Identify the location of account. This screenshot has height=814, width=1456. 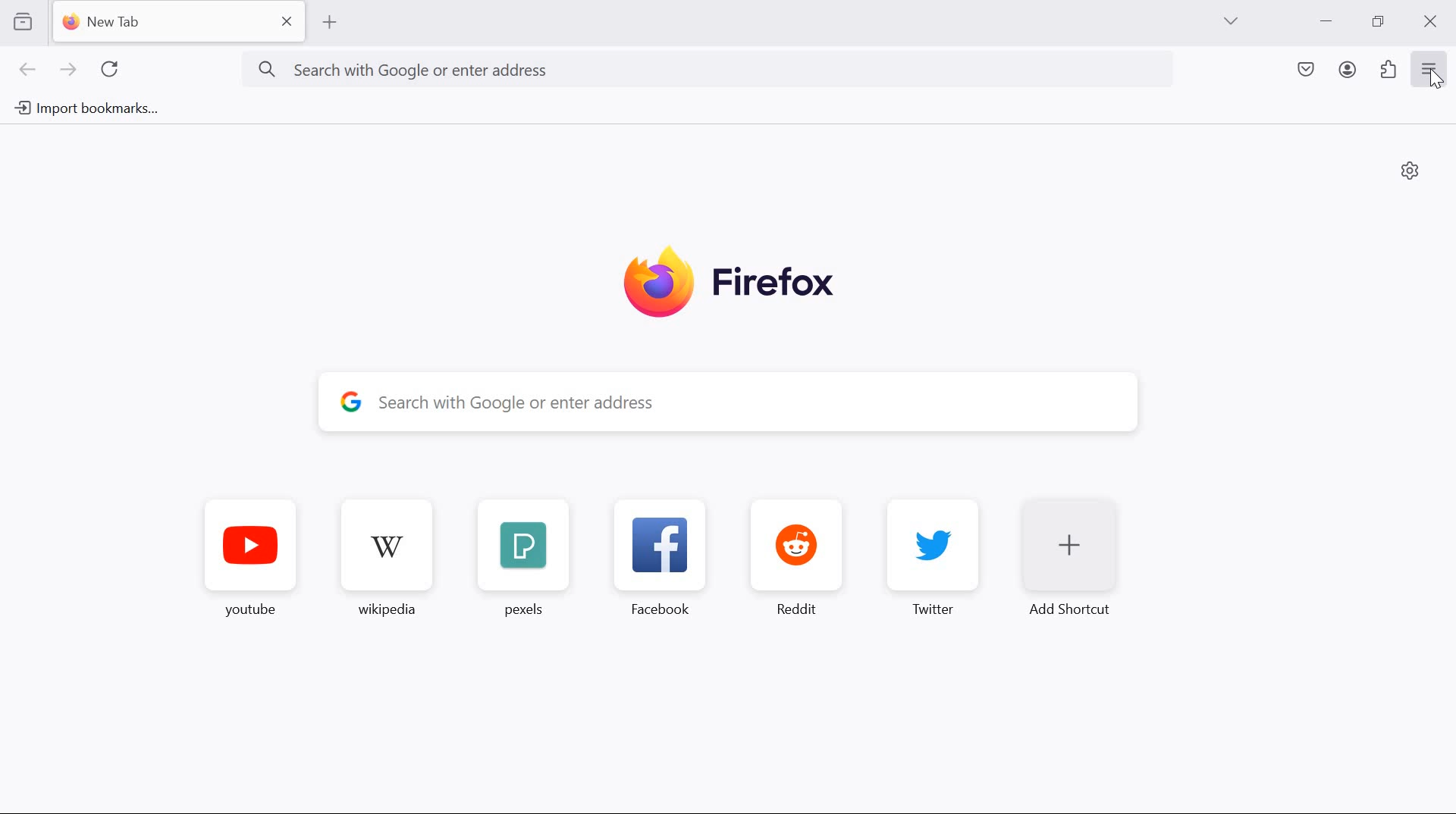
(1348, 70).